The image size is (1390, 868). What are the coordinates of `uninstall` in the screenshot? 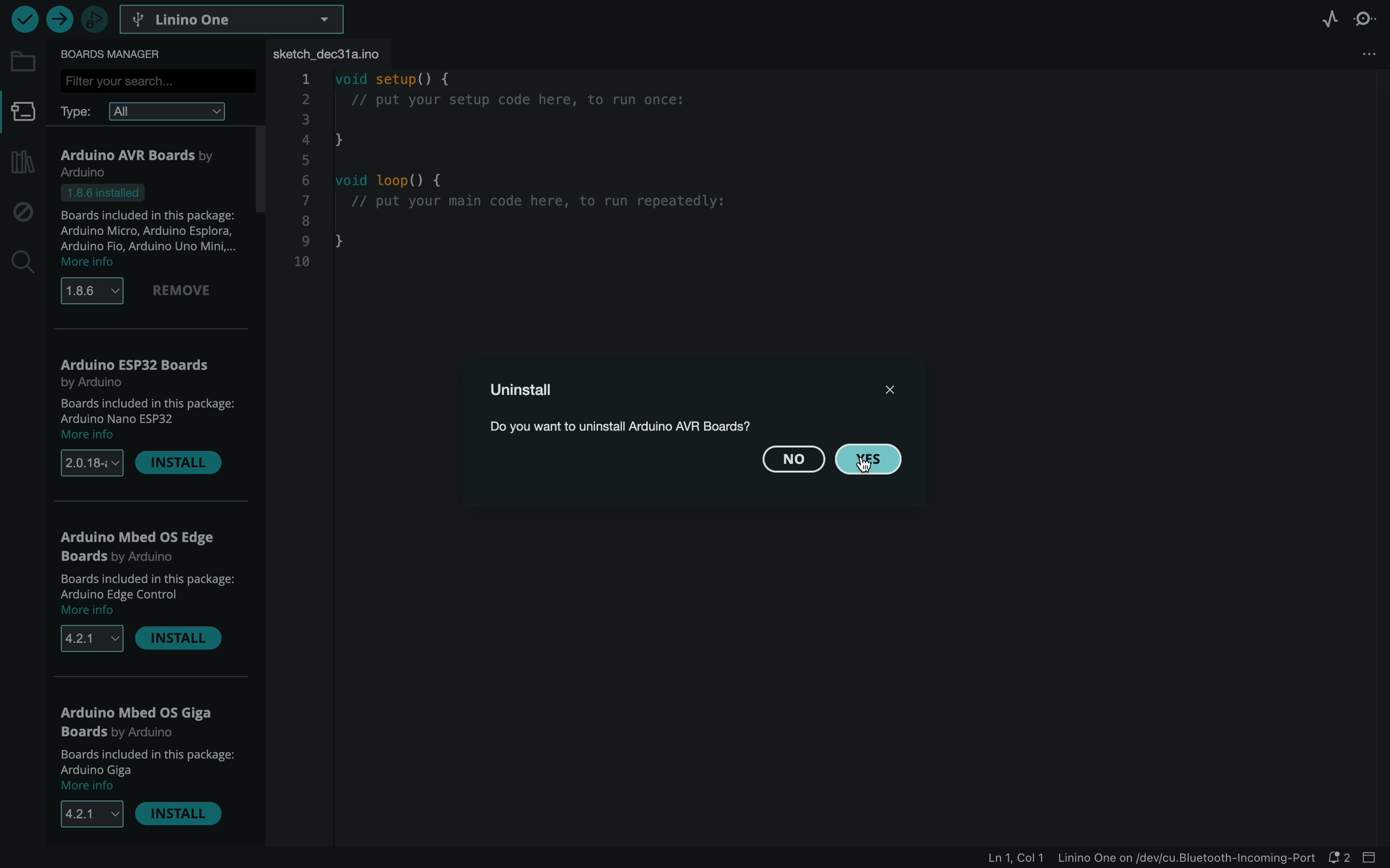 It's located at (528, 390).